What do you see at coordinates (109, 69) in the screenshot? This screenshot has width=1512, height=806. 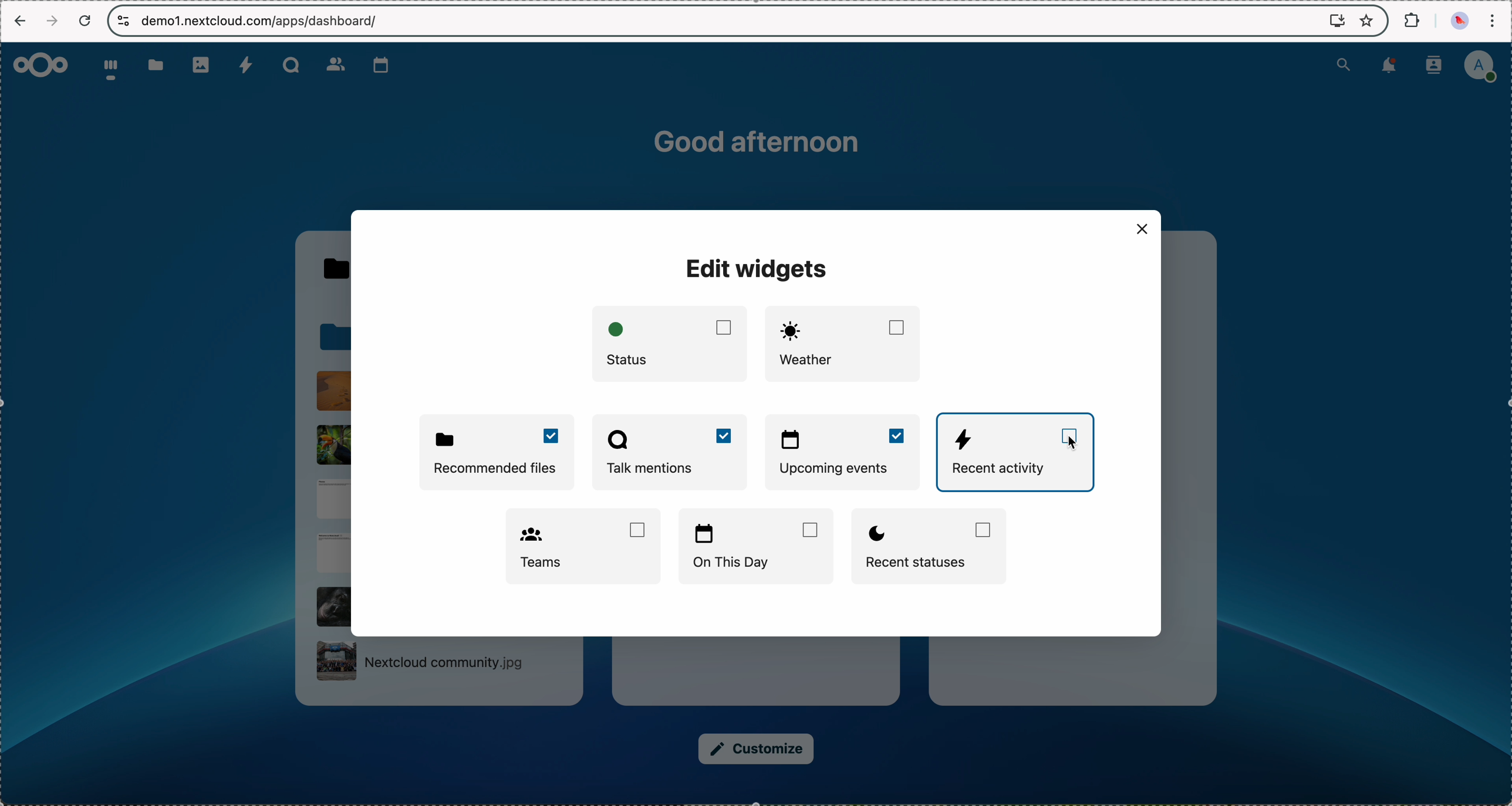 I see `dashboard` at bounding box center [109, 69].